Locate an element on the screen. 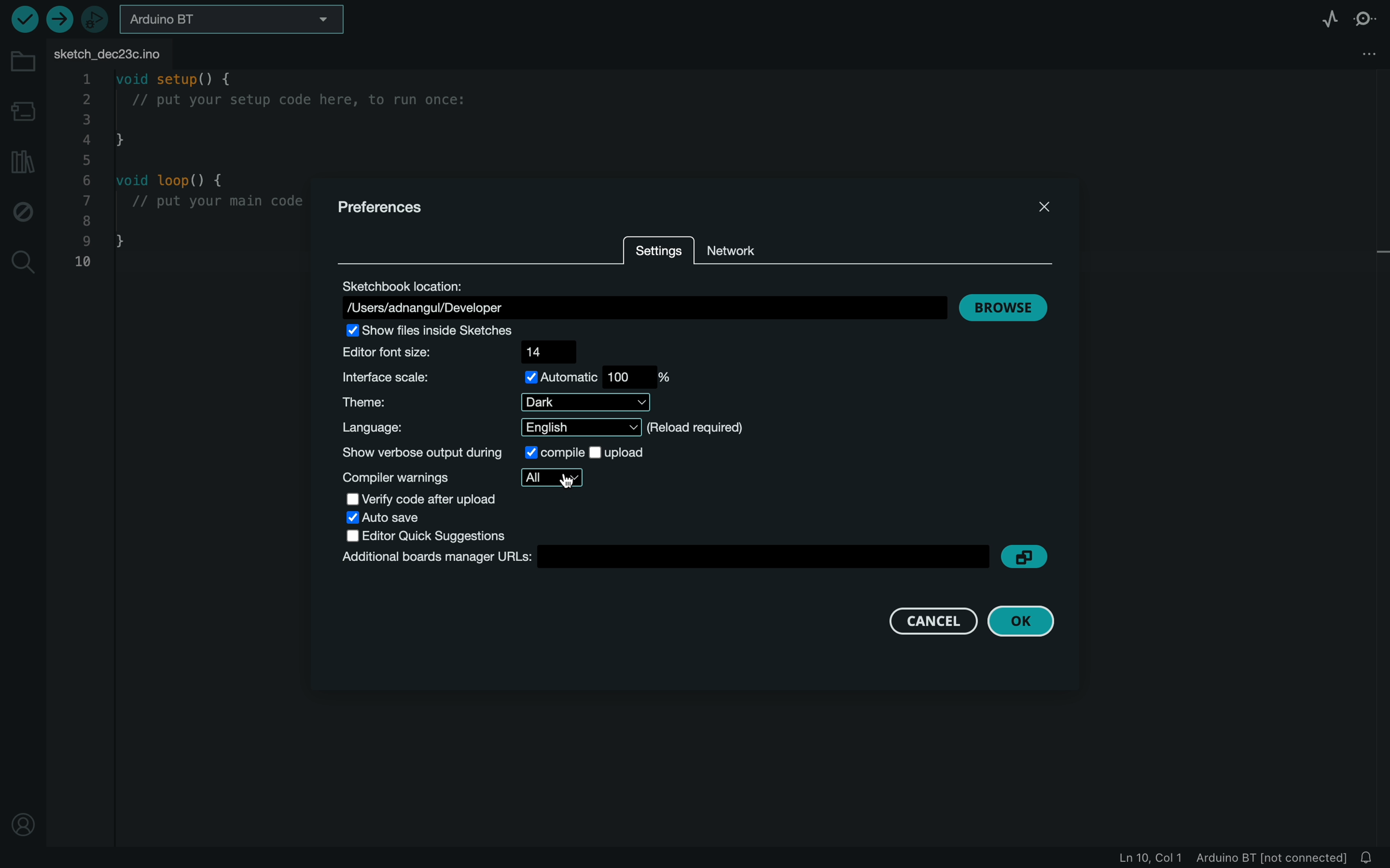 This screenshot has height=868, width=1390. serial plotter is located at coordinates (1326, 17).